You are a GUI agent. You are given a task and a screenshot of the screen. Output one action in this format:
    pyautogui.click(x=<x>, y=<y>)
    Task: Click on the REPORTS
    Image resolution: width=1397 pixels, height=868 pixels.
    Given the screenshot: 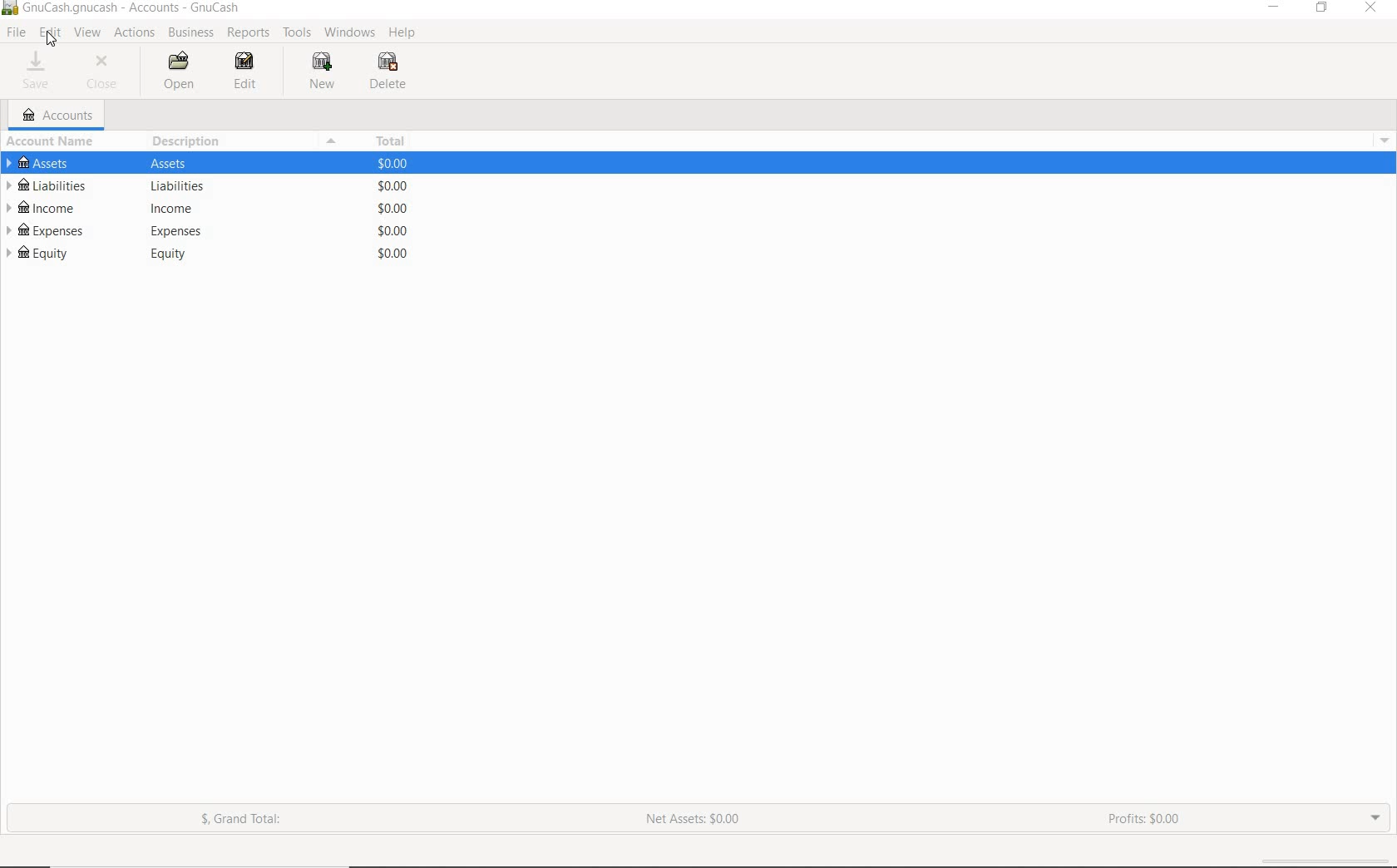 What is the action you would take?
    pyautogui.click(x=249, y=33)
    